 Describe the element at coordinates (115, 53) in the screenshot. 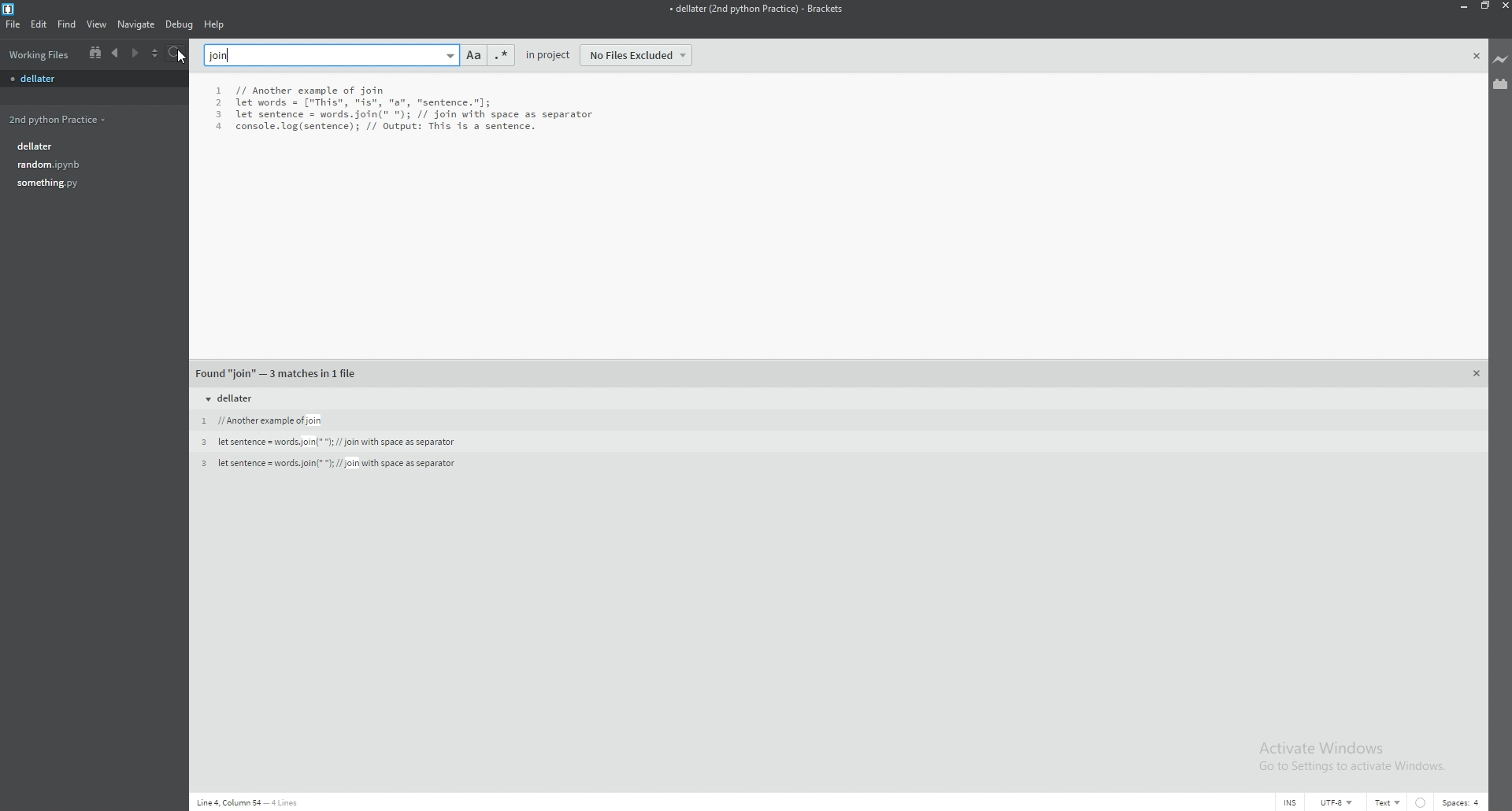

I see `previous` at that location.